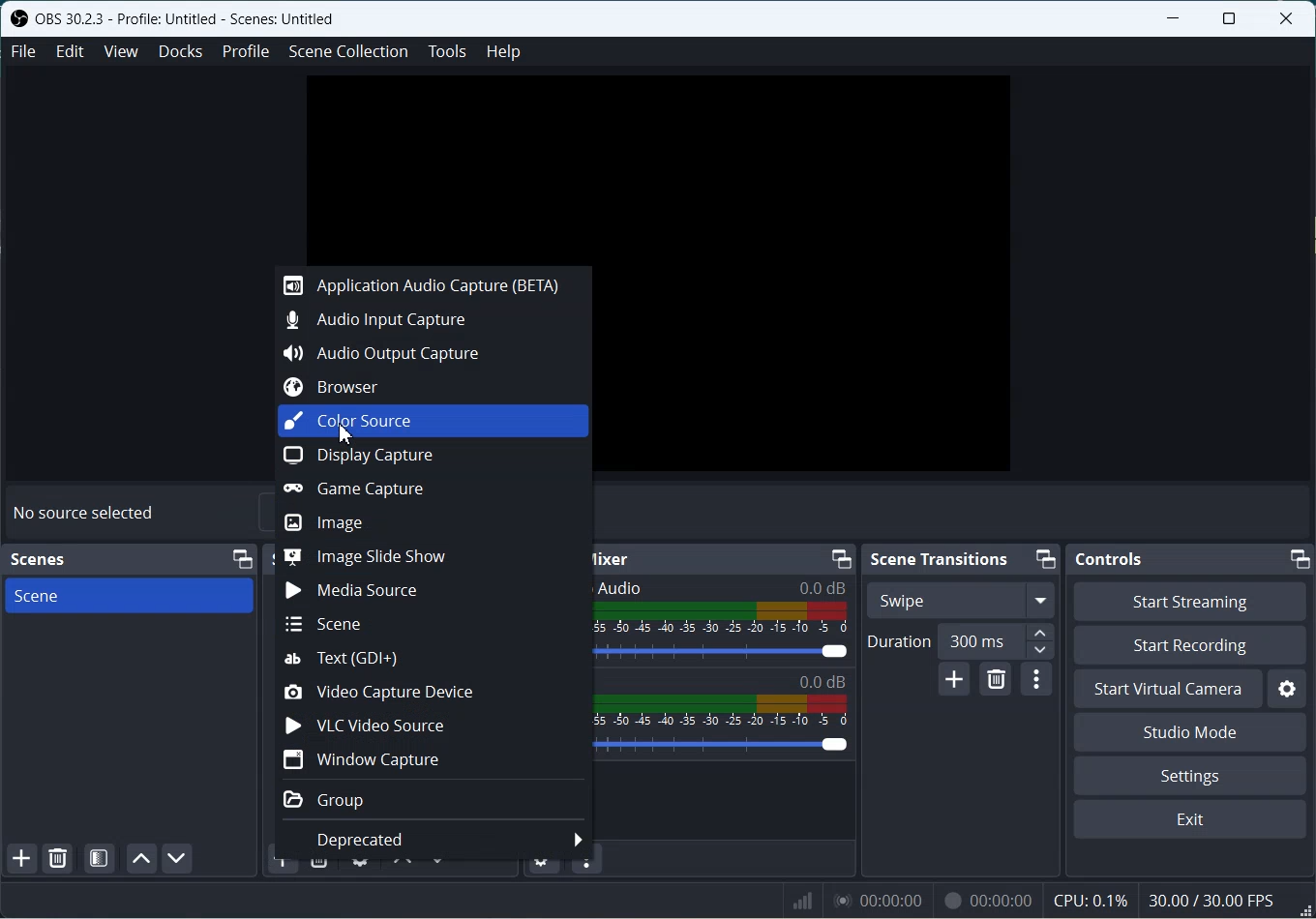  Describe the element at coordinates (434, 590) in the screenshot. I see `Media Source` at that location.